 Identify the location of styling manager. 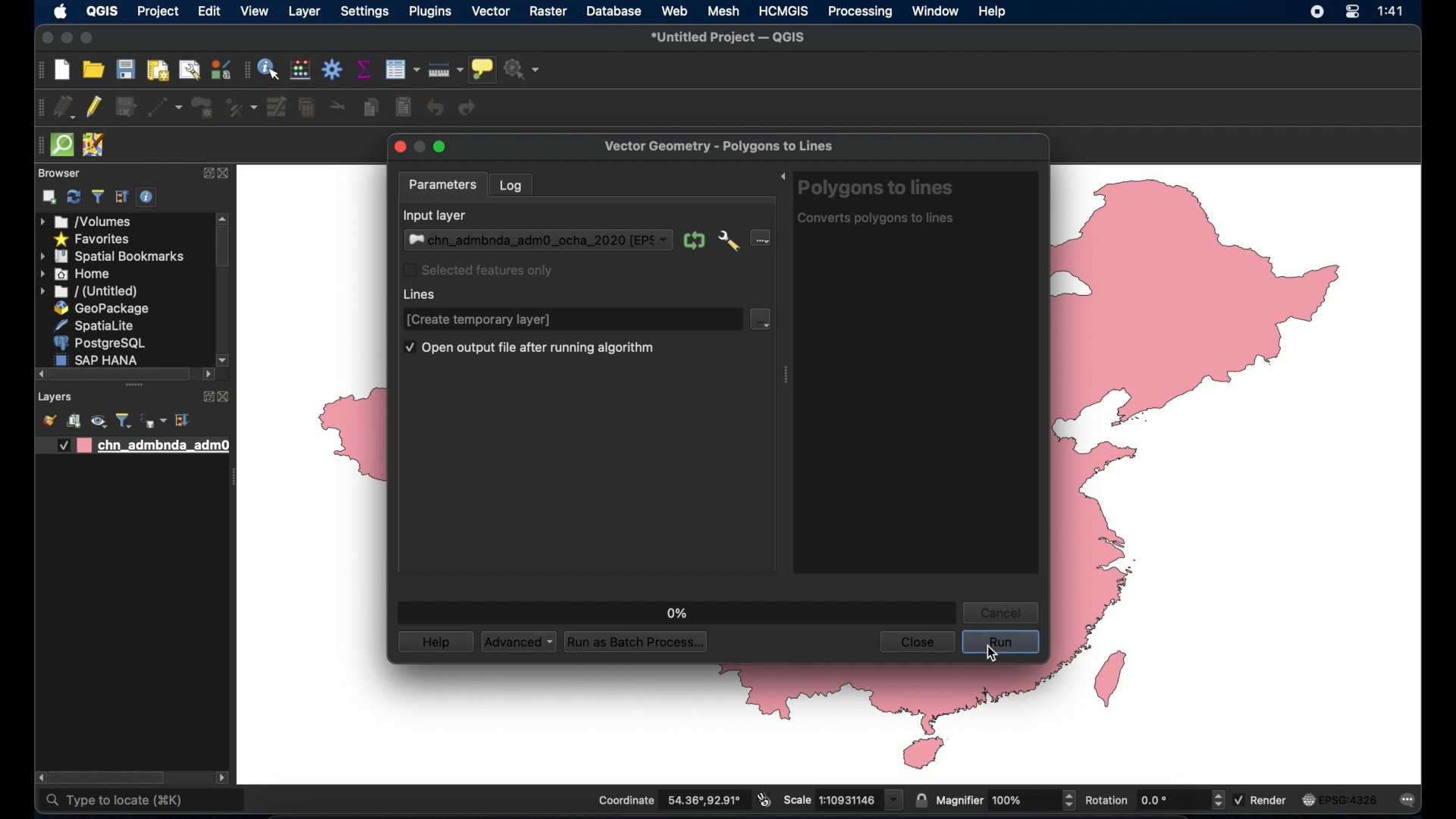
(221, 69).